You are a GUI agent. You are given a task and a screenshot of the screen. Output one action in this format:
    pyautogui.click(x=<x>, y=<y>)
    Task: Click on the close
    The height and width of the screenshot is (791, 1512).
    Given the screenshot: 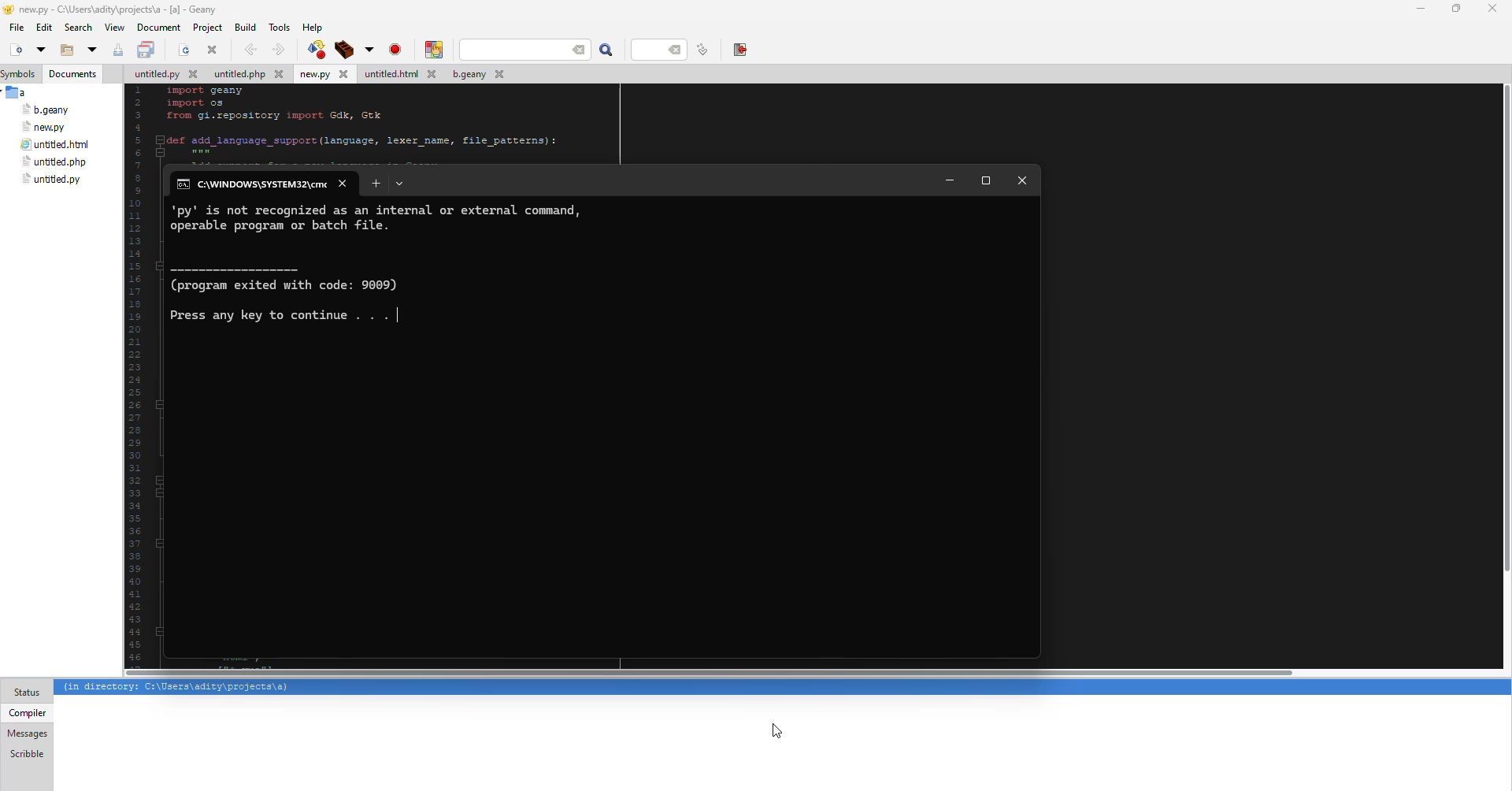 What is the action you would take?
    pyautogui.click(x=1022, y=180)
    